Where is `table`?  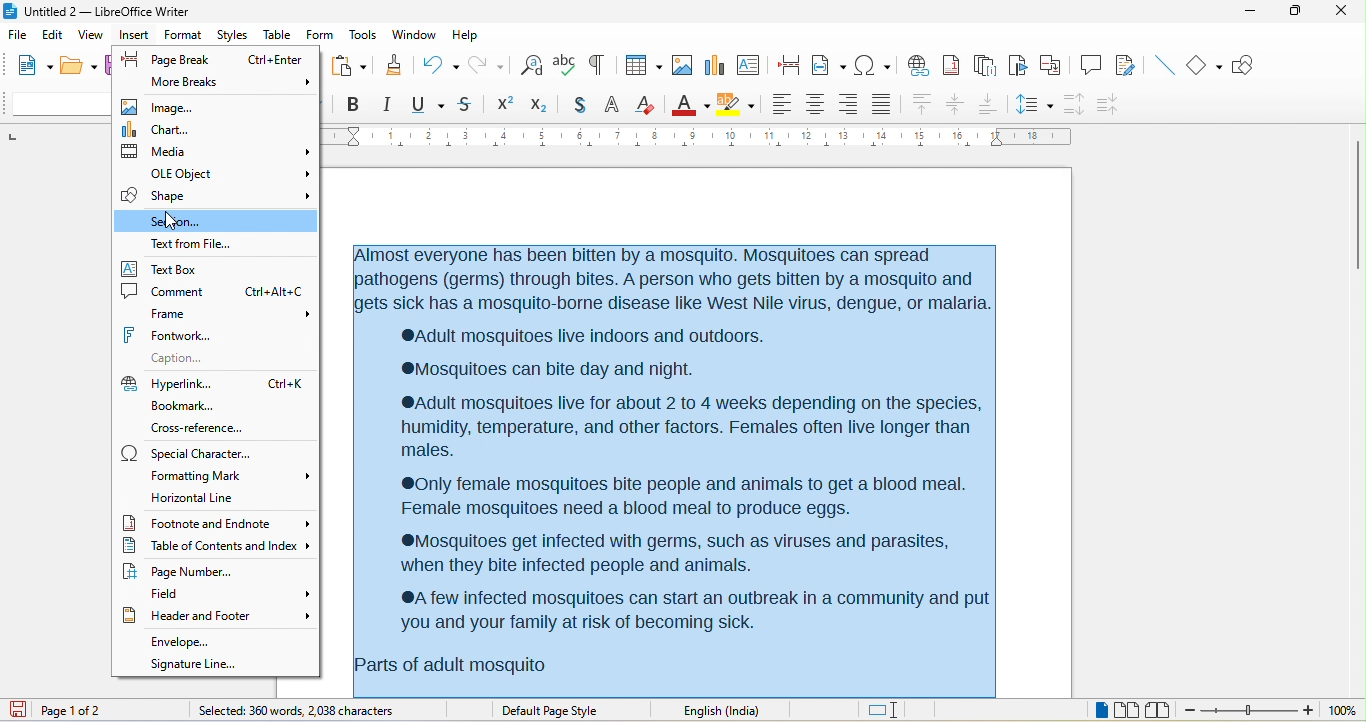 table is located at coordinates (641, 64).